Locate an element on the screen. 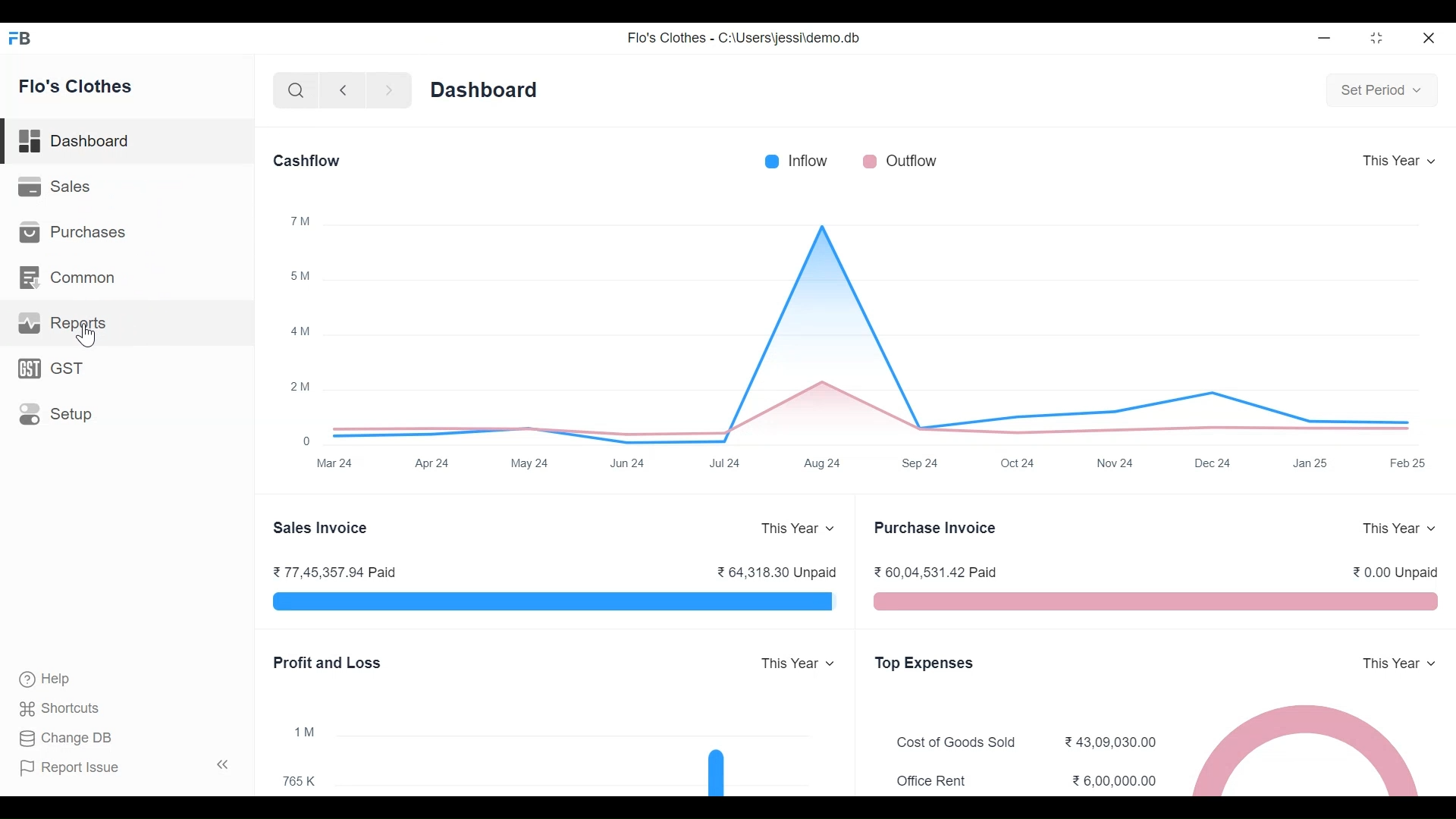  Change DB is located at coordinates (69, 738).